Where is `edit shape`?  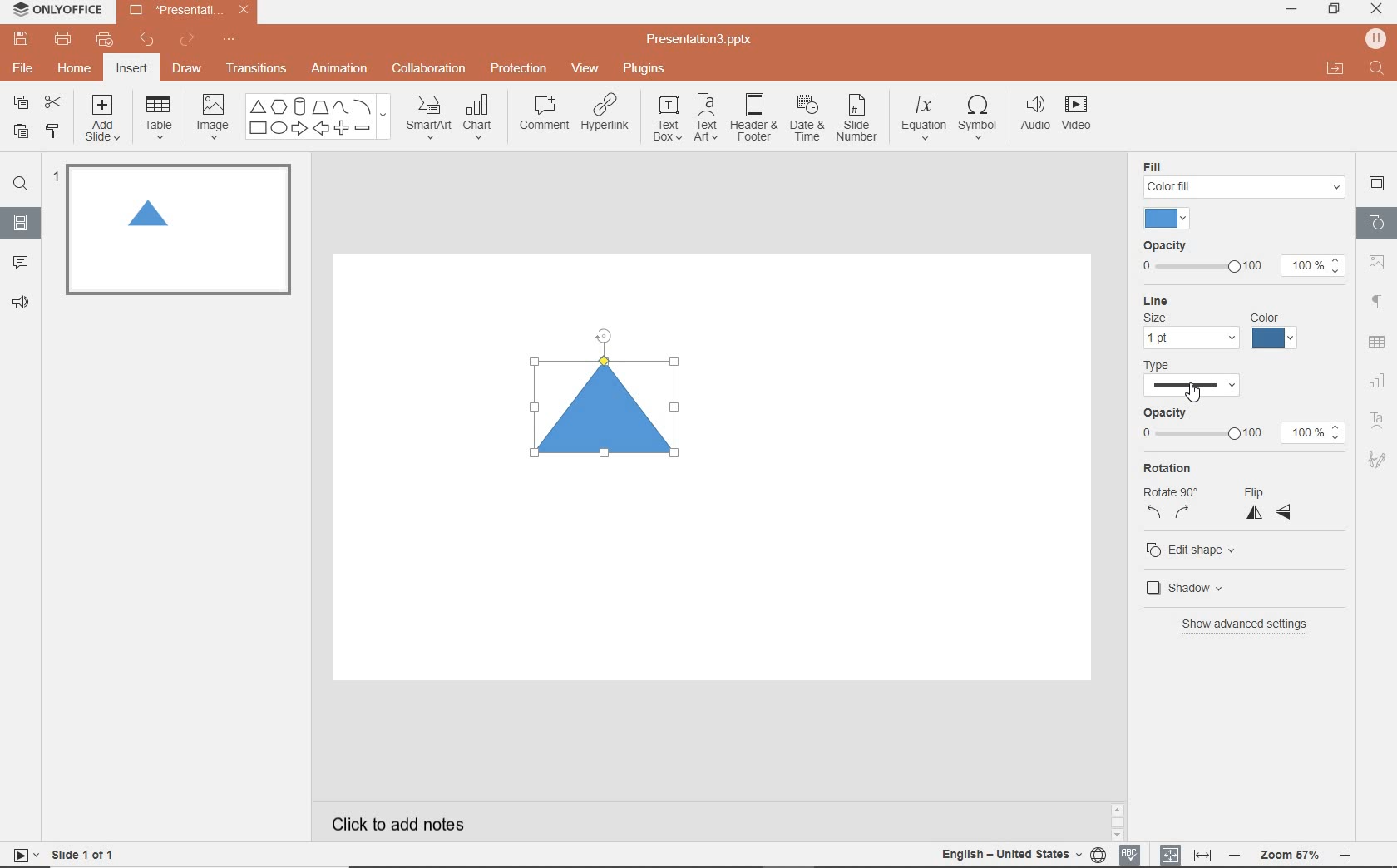
edit shape is located at coordinates (1196, 552).